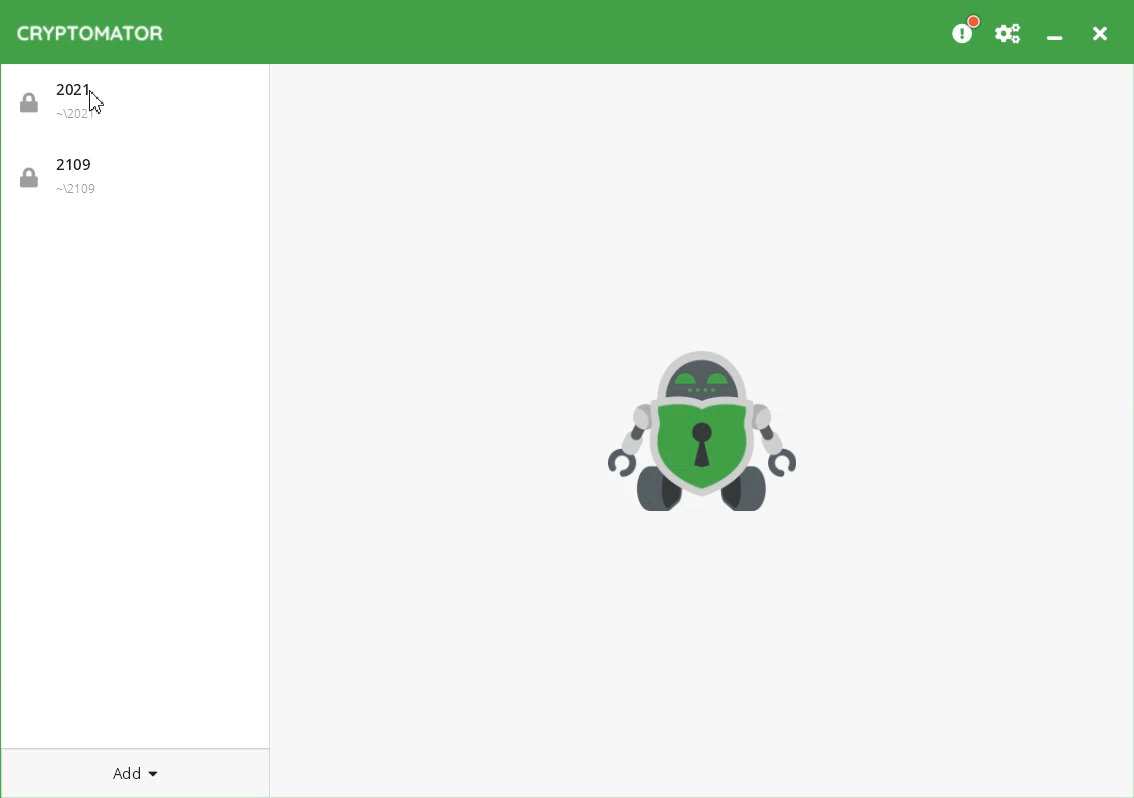 The height and width of the screenshot is (798, 1134). Describe the element at coordinates (964, 32) in the screenshot. I see `Please consider donating` at that location.